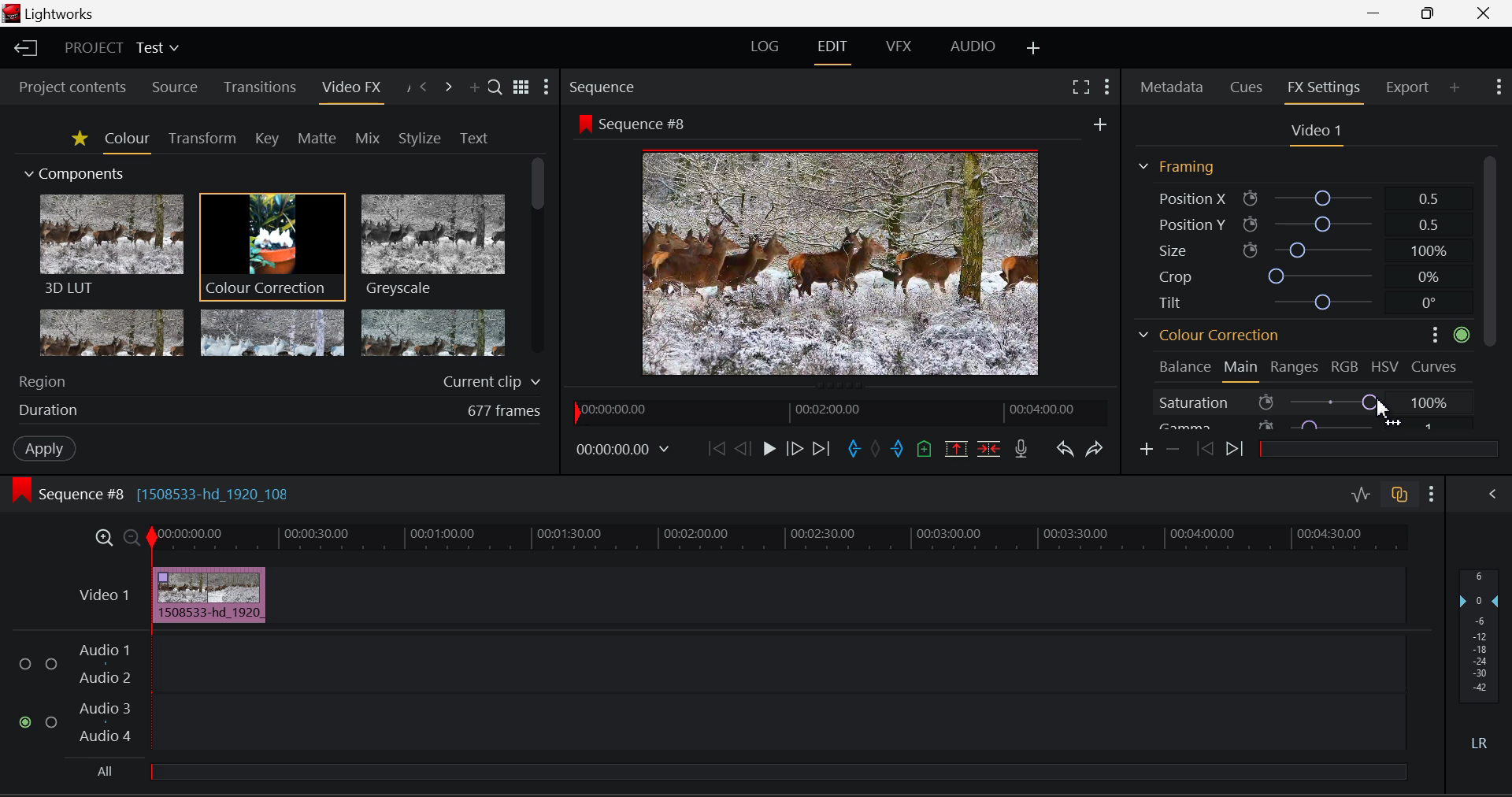 Image resolution: width=1512 pixels, height=797 pixels. Describe the element at coordinates (775, 539) in the screenshot. I see `Project Timeline` at that location.